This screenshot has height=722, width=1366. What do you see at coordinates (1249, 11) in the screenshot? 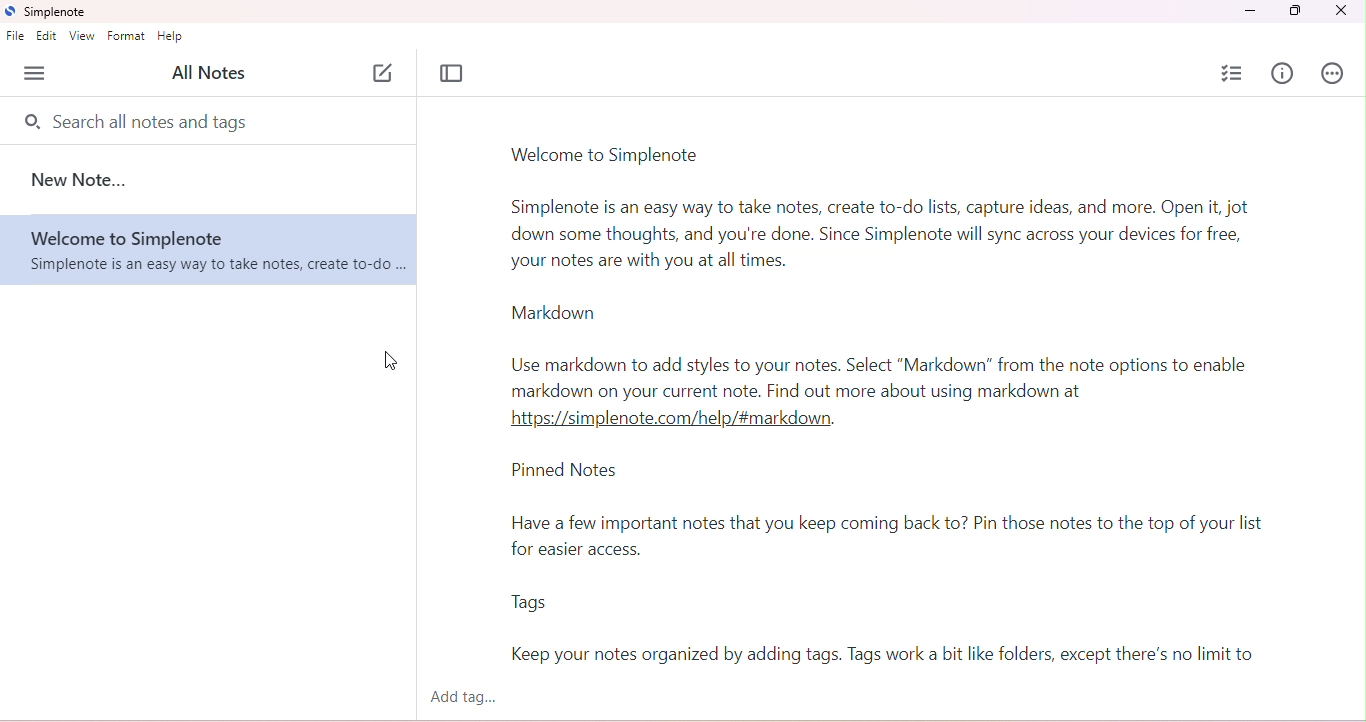
I see `minimize ` at bounding box center [1249, 11].